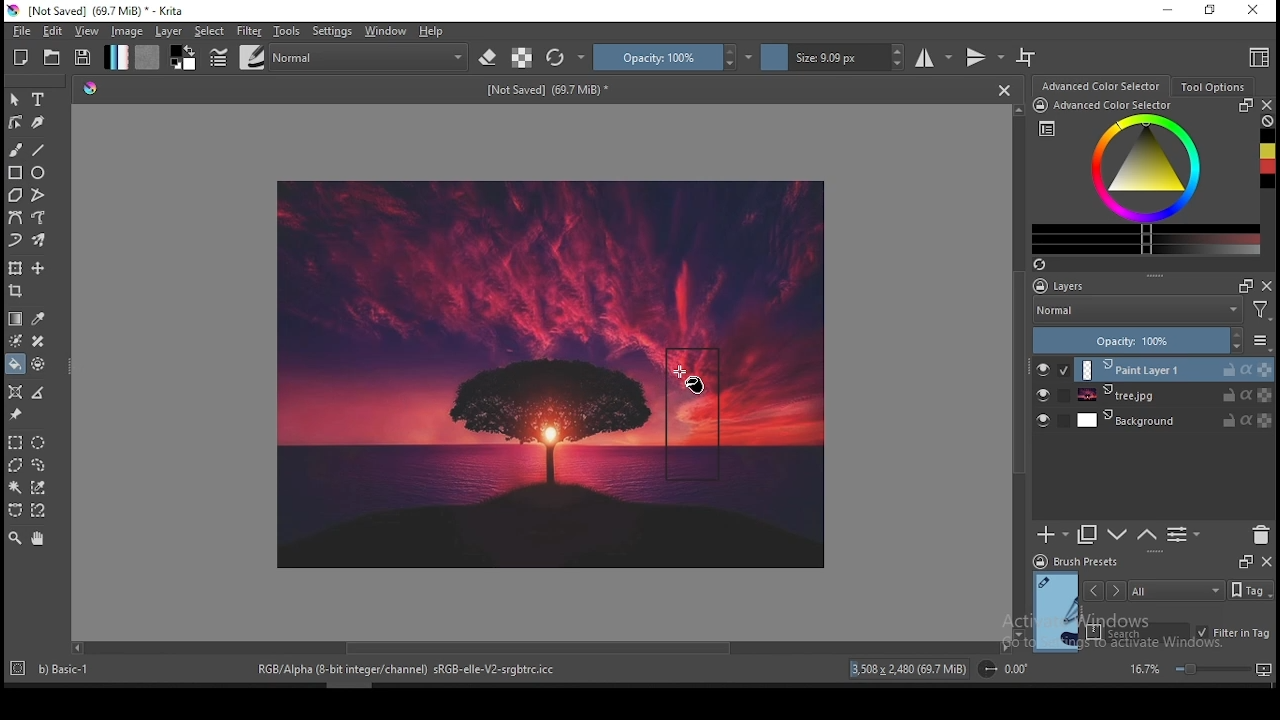 The image size is (1280, 720). Describe the element at coordinates (39, 440) in the screenshot. I see `elliptical selection tool` at that location.